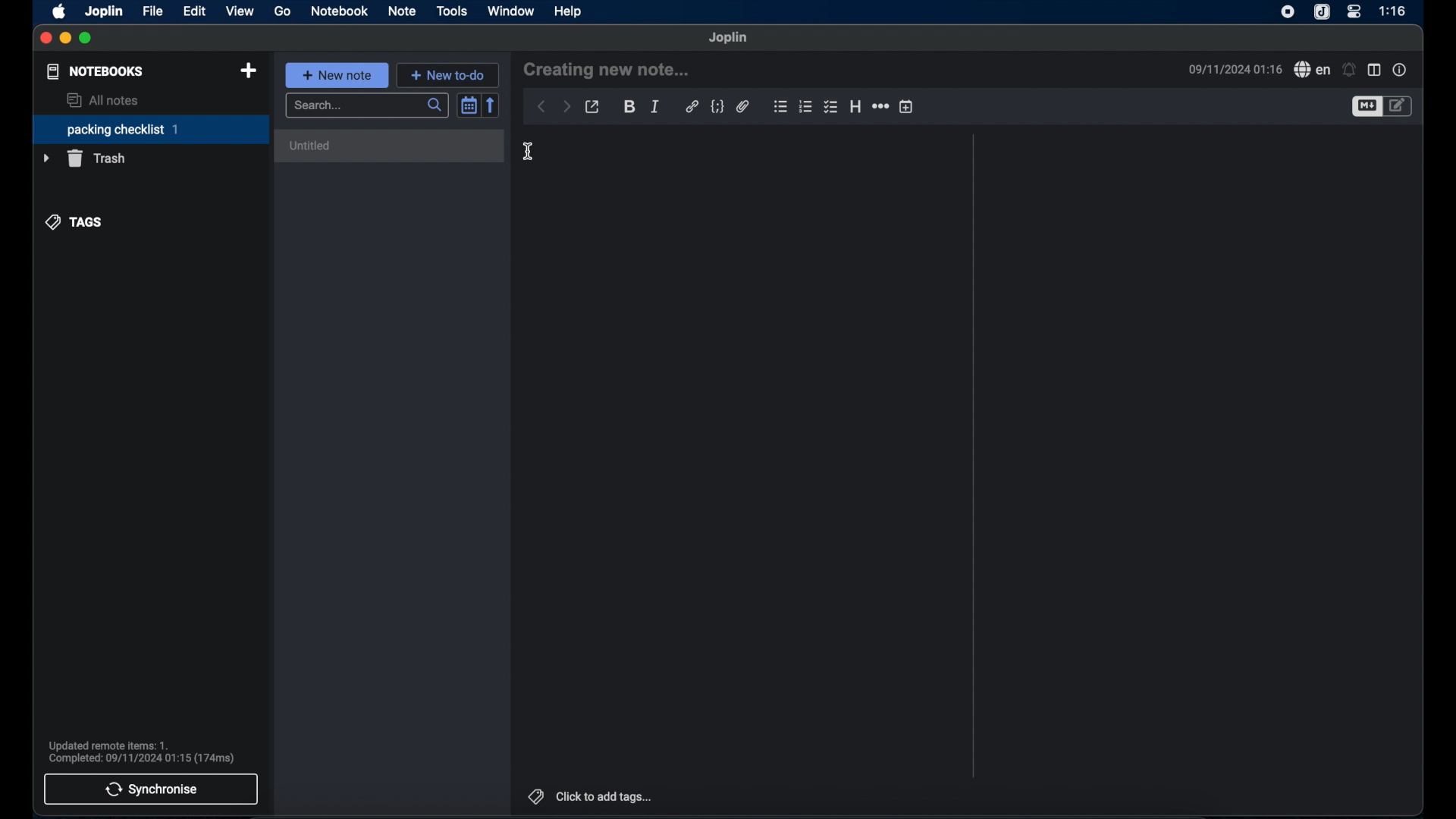  Describe the element at coordinates (1394, 11) in the screenshot. I see `1:16` at that location.